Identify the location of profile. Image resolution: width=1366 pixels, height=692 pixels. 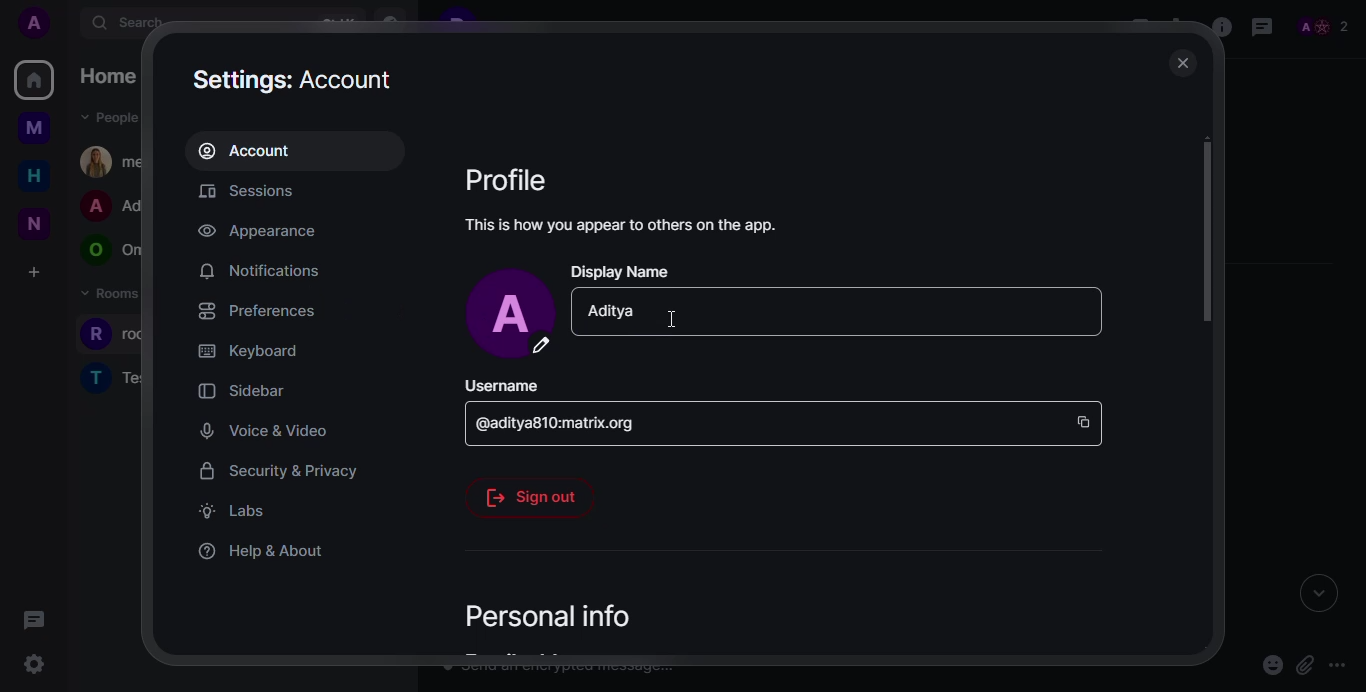
(32, 24).